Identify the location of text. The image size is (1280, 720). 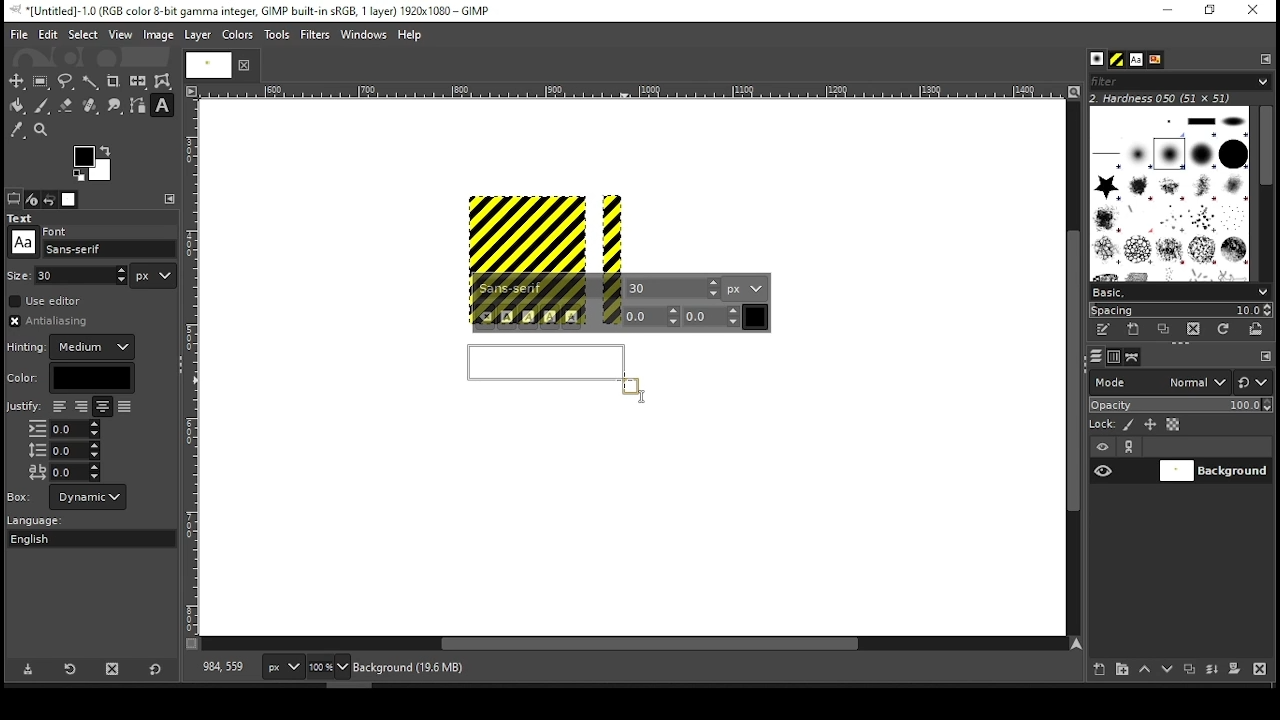
(23, 218).